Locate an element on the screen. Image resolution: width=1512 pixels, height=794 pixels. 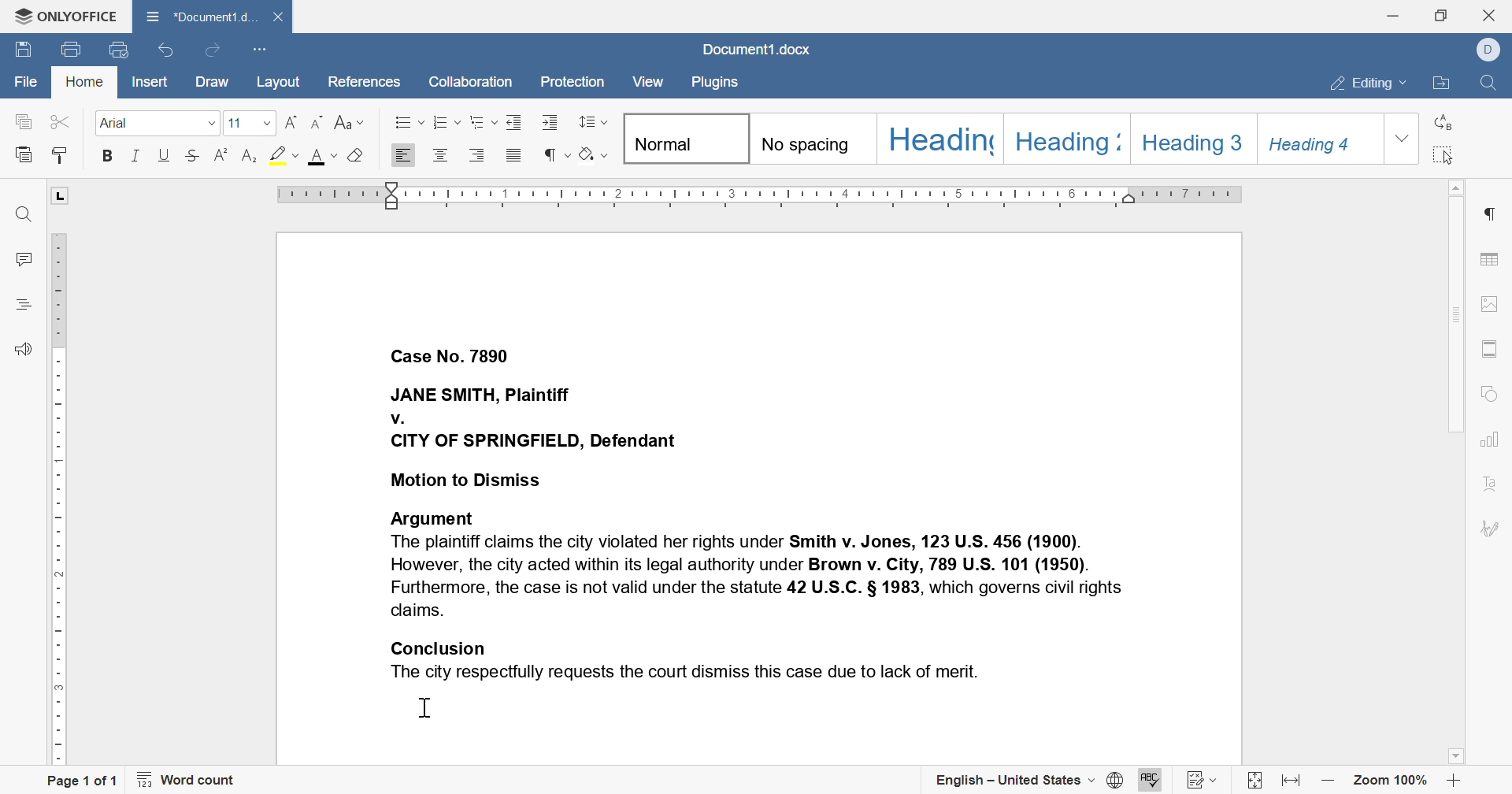
numbering is located at coordinates (446, 122).